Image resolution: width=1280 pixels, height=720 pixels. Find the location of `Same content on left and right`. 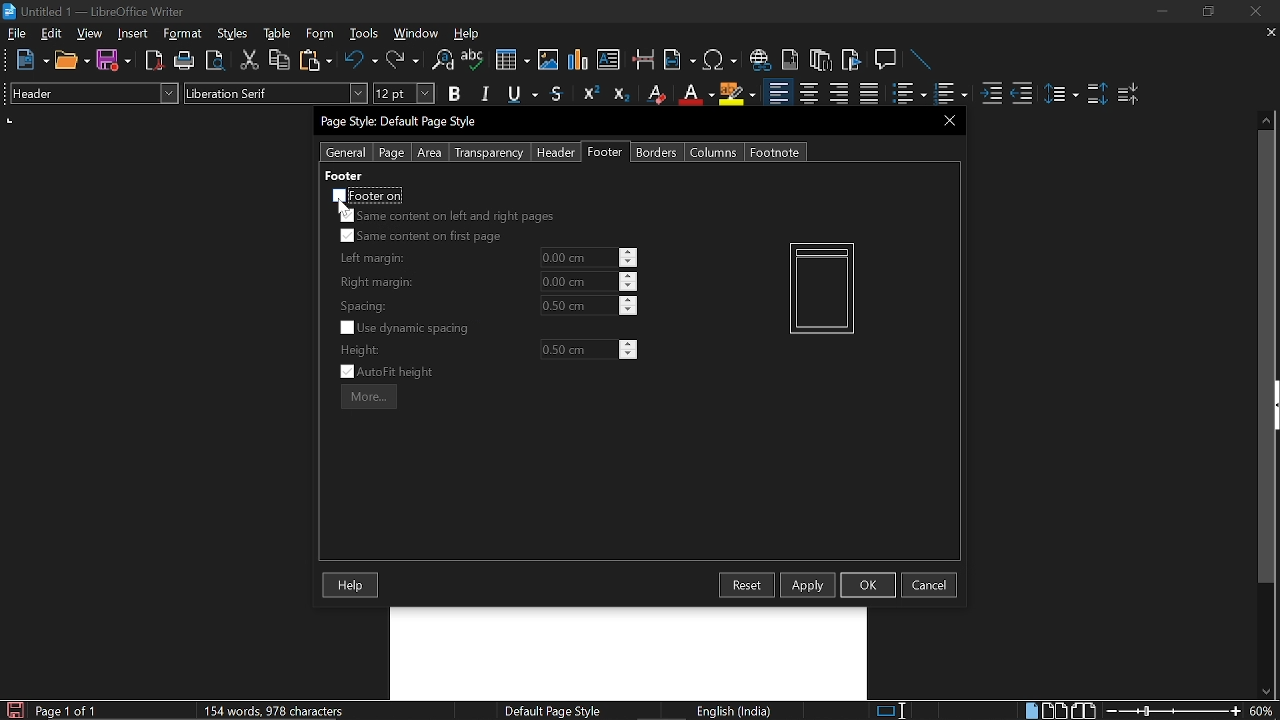

Same content on left and right is located at coordinates (446, 218).